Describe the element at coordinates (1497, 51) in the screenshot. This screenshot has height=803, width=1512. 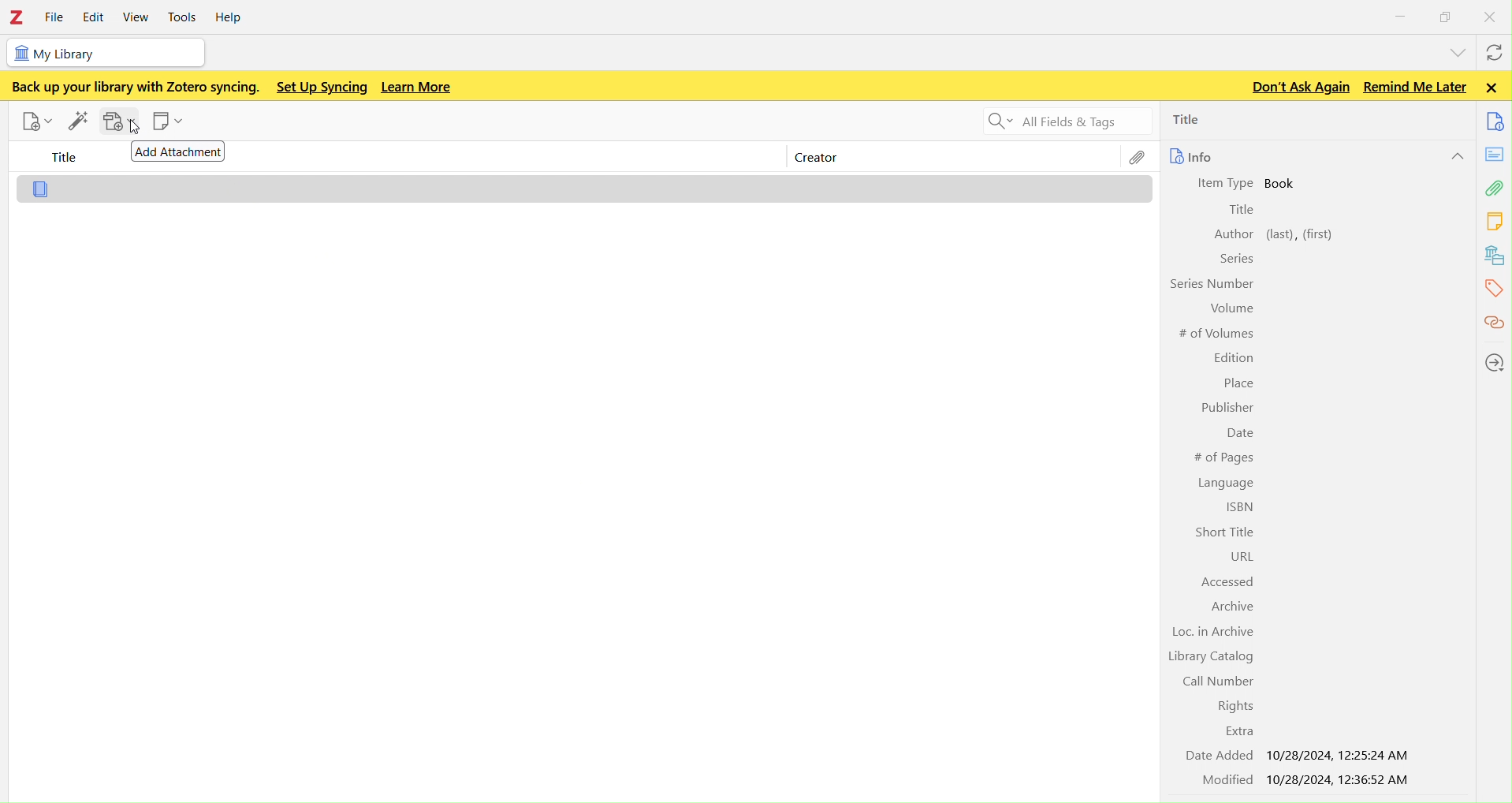
I see `syncwith zotero` at that location.